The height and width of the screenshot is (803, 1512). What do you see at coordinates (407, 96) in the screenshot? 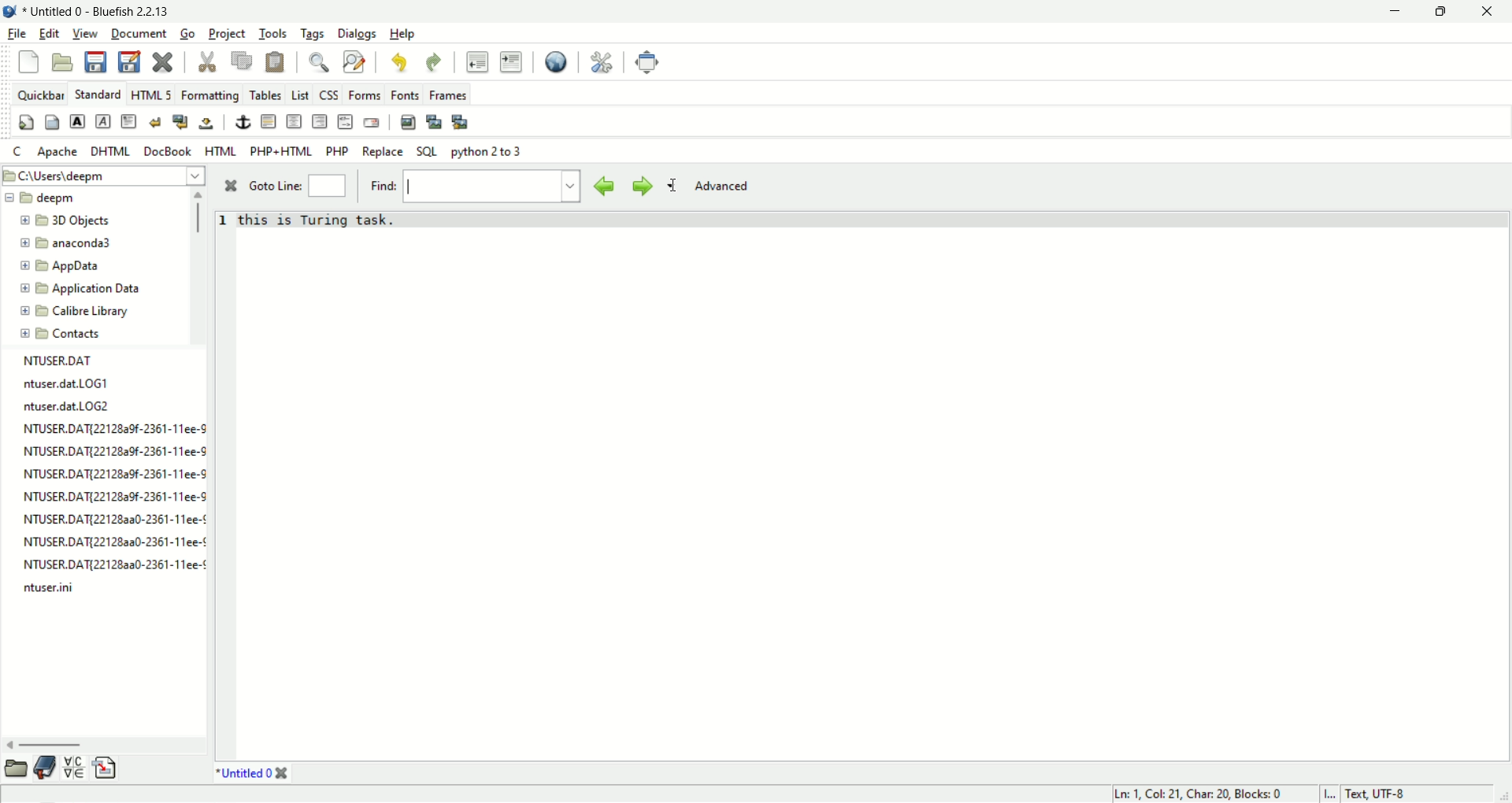
I see `Fonts` at bounding box center [407, 96].